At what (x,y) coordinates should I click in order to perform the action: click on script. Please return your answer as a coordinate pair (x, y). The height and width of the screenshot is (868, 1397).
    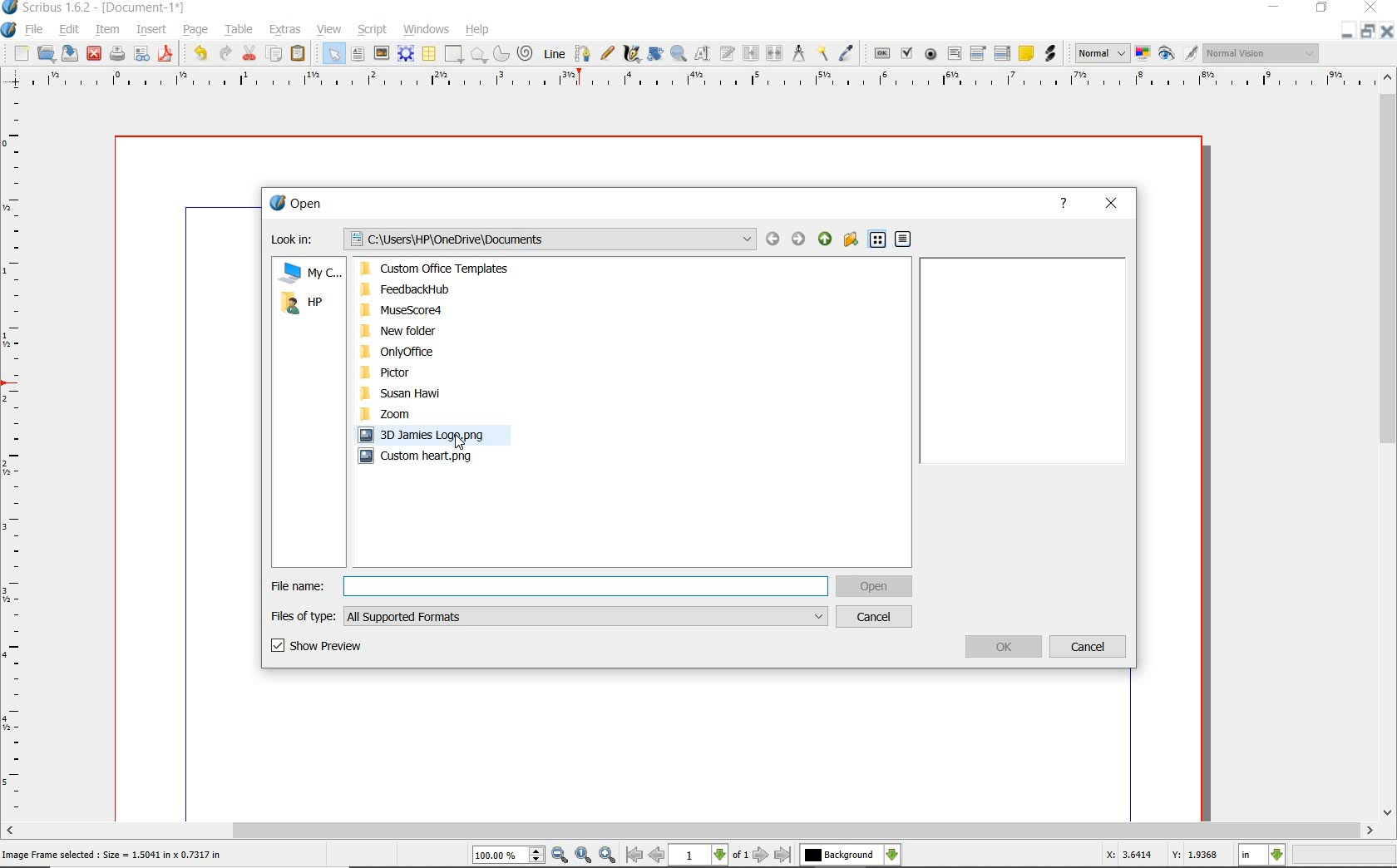
    Looking at the image, I should click on (373, 30).